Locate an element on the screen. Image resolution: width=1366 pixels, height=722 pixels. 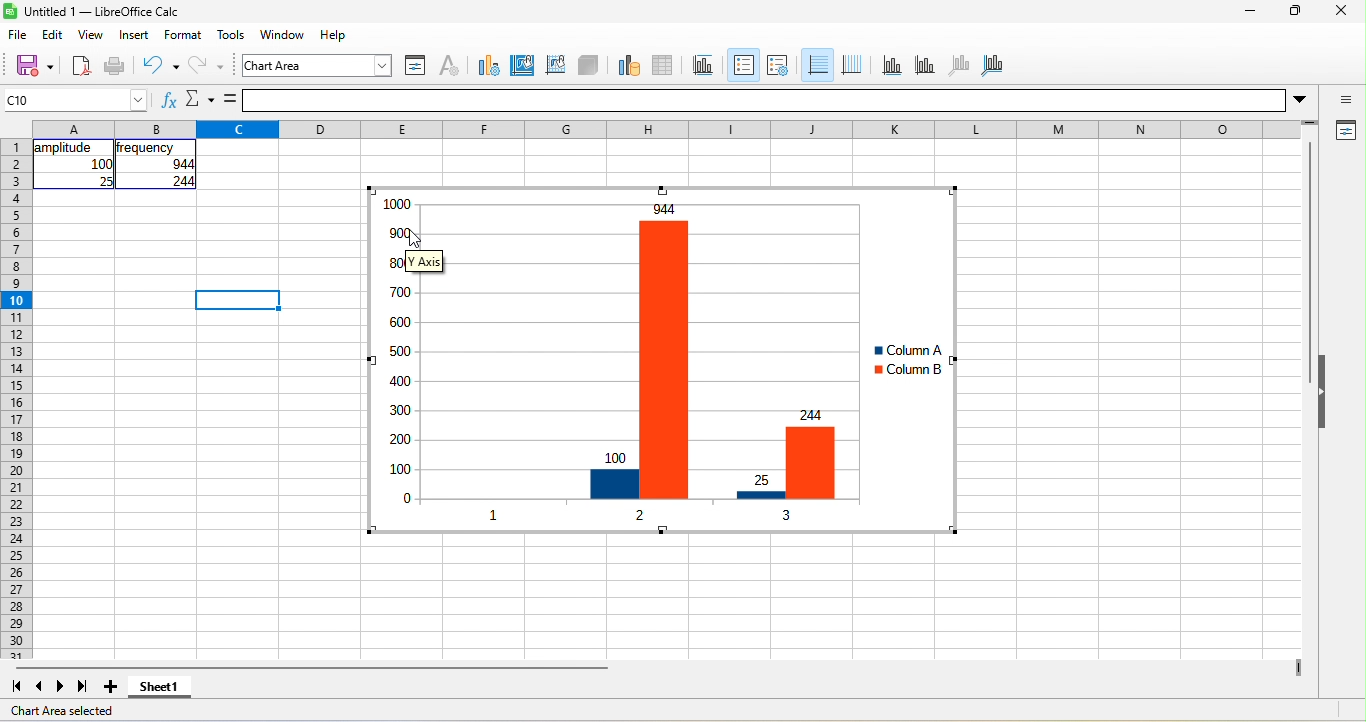
chart is located at coordinates (319, 65).